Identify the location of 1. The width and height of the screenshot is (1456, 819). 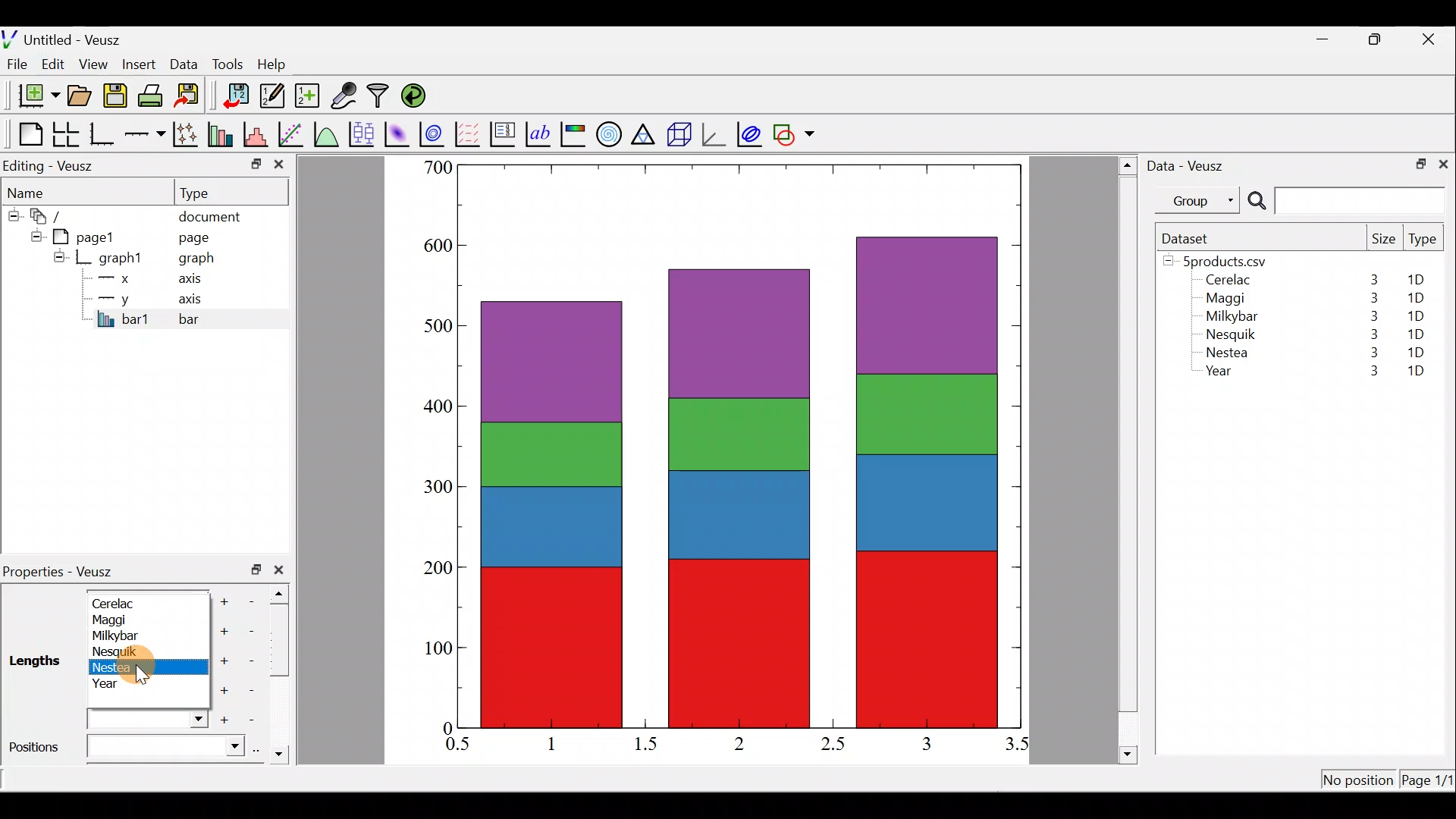
(563, 743).